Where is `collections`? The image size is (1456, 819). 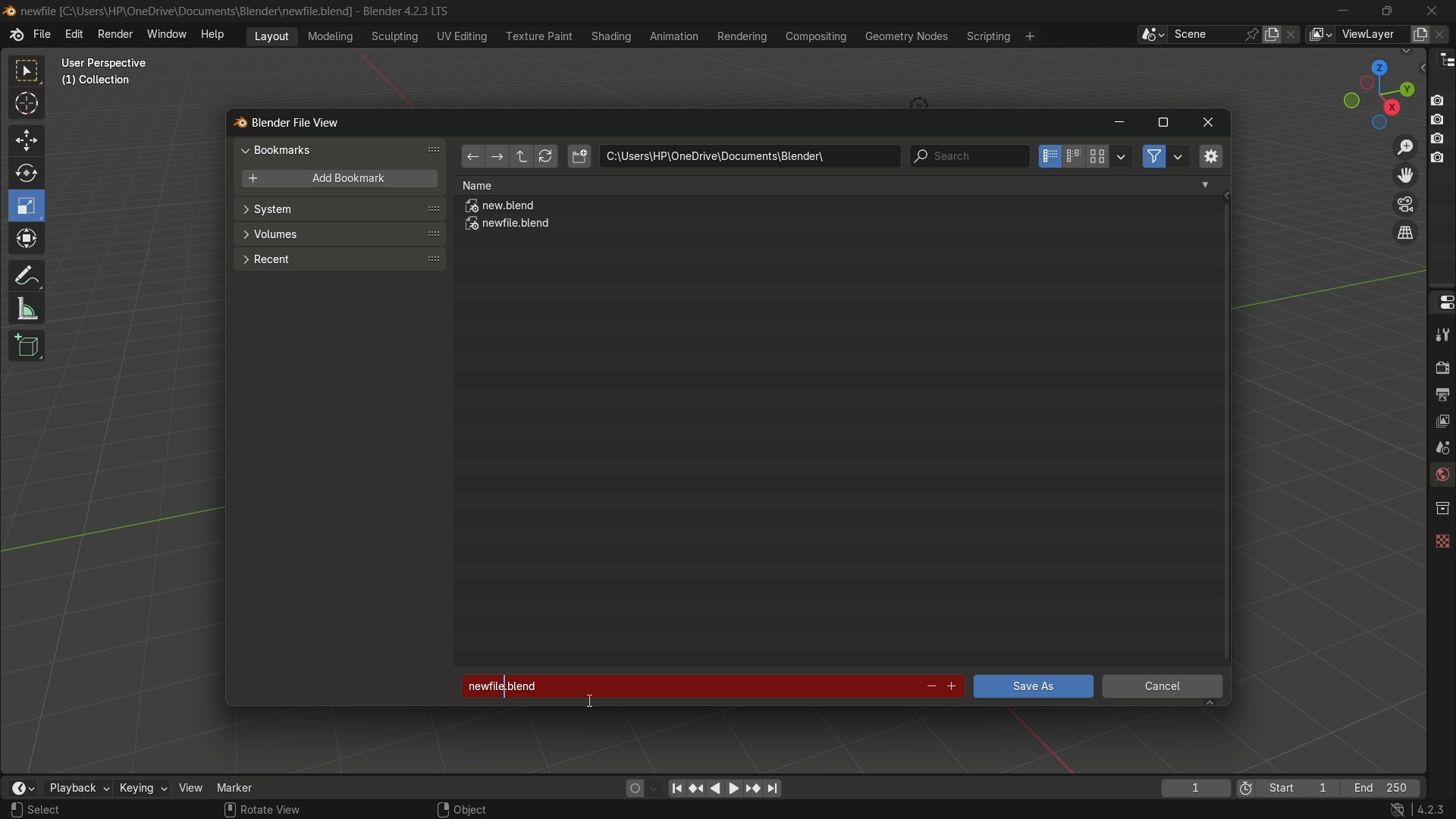
collections is located at coordinates (1442, 508).